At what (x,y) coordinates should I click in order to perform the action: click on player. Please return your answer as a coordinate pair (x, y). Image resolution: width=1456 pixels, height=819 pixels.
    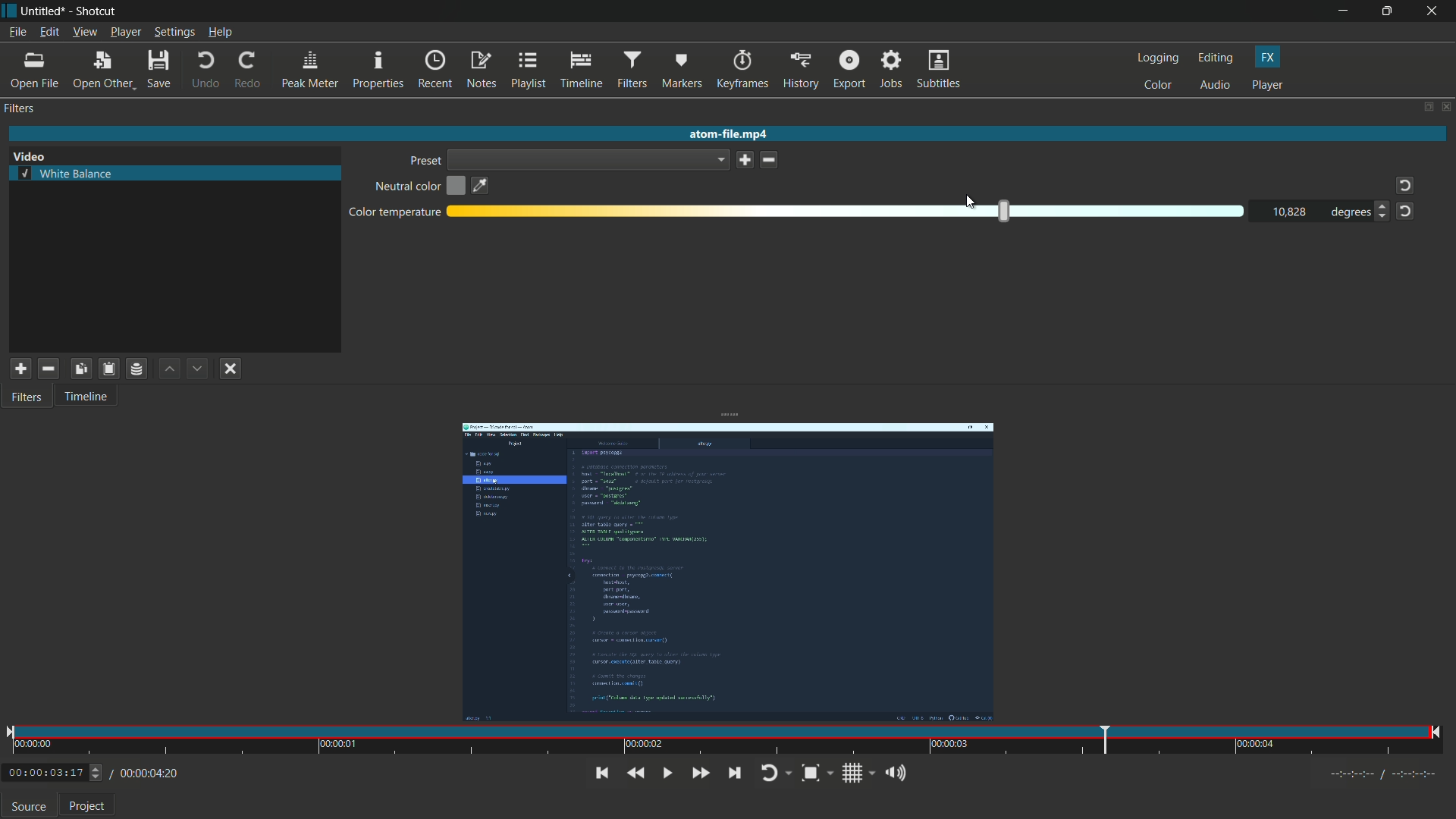
    Looking at the image, I should click on (1268, 86).